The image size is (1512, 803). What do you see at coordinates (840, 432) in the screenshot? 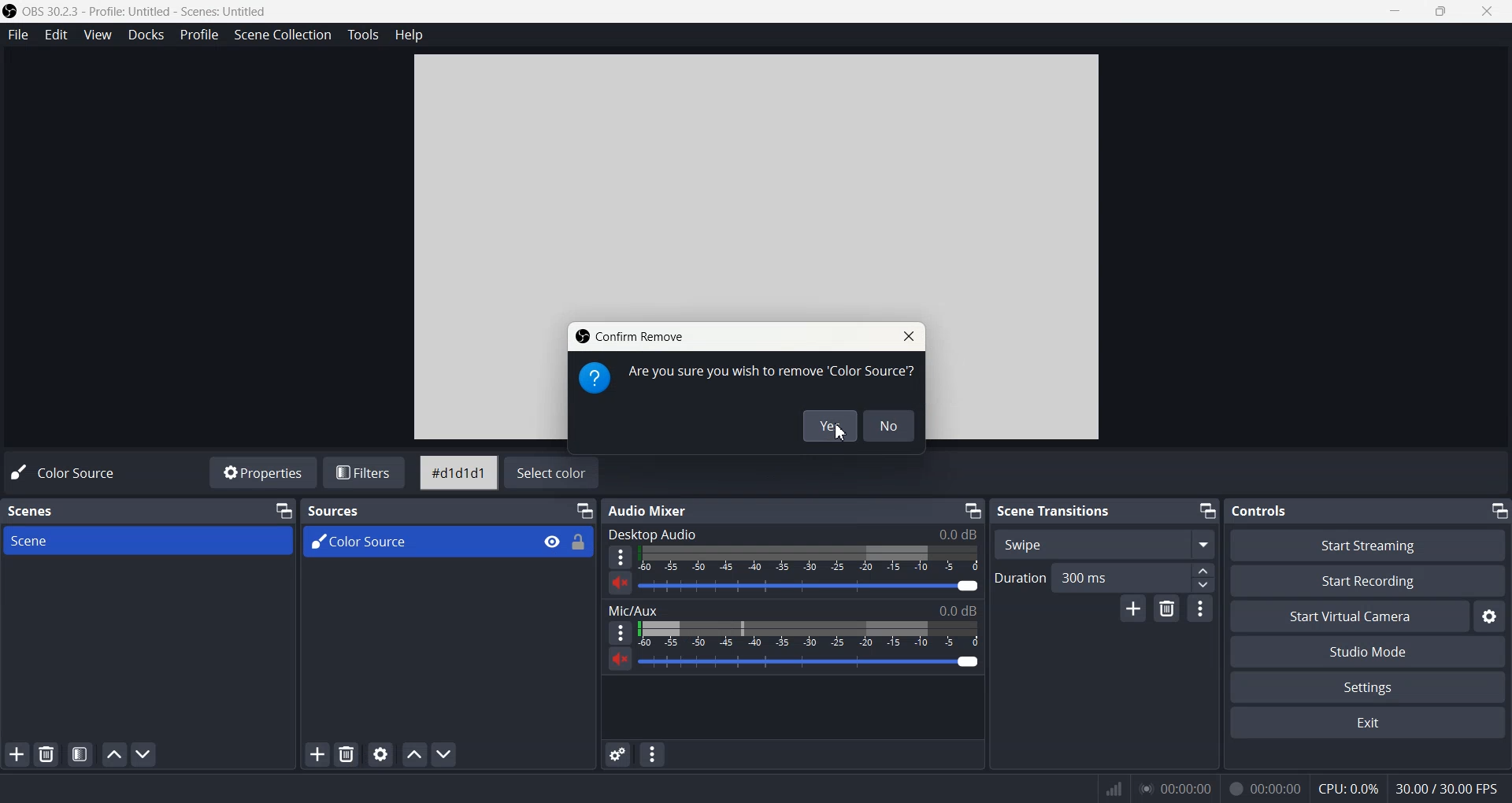
I see `Cursor` at bounding box center [840, 432].